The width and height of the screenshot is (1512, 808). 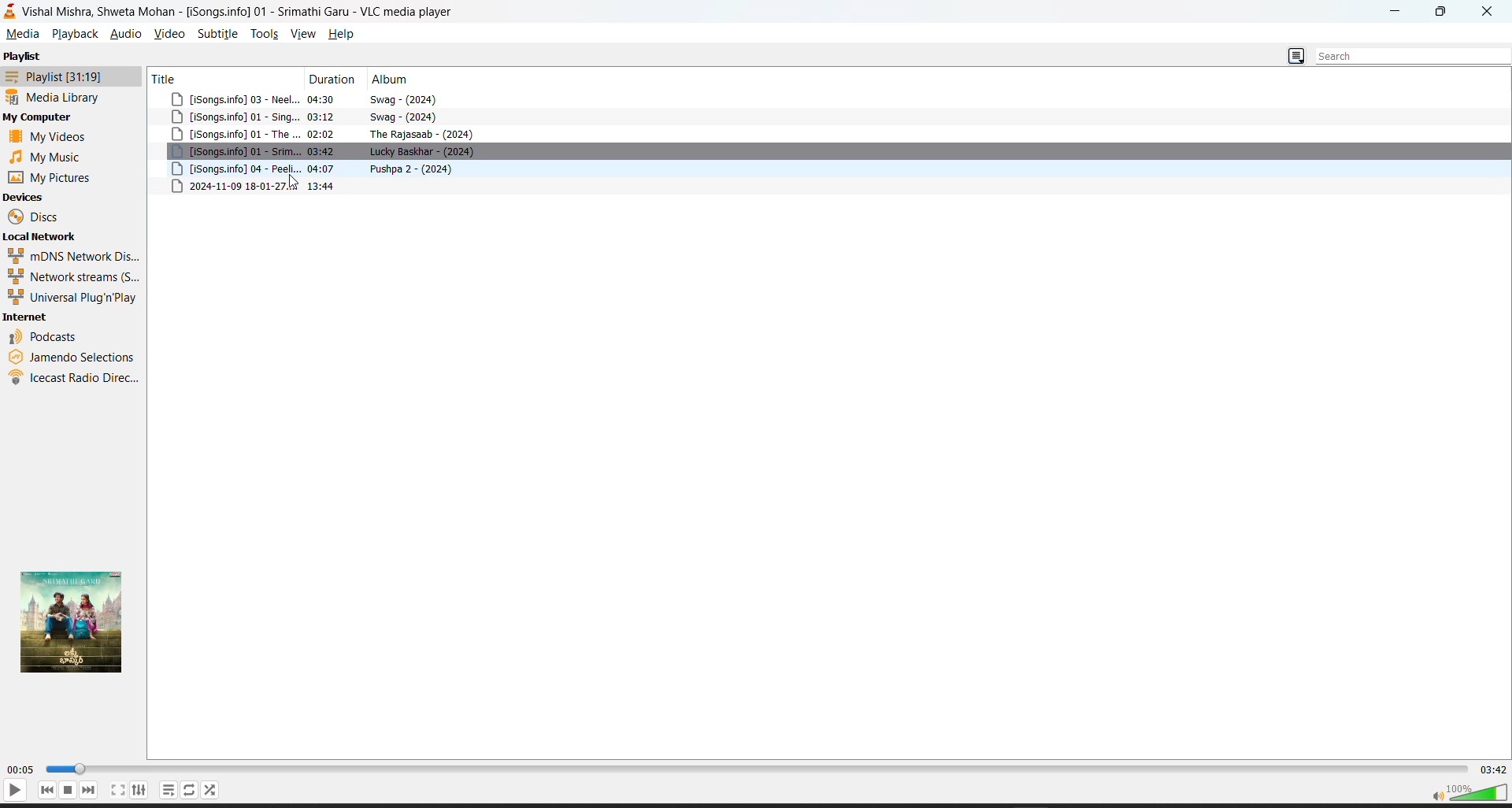 What do you see at coordinates (1496, 769) in the screenshot?
I see `total track time` at bounding box center [1496, 769].